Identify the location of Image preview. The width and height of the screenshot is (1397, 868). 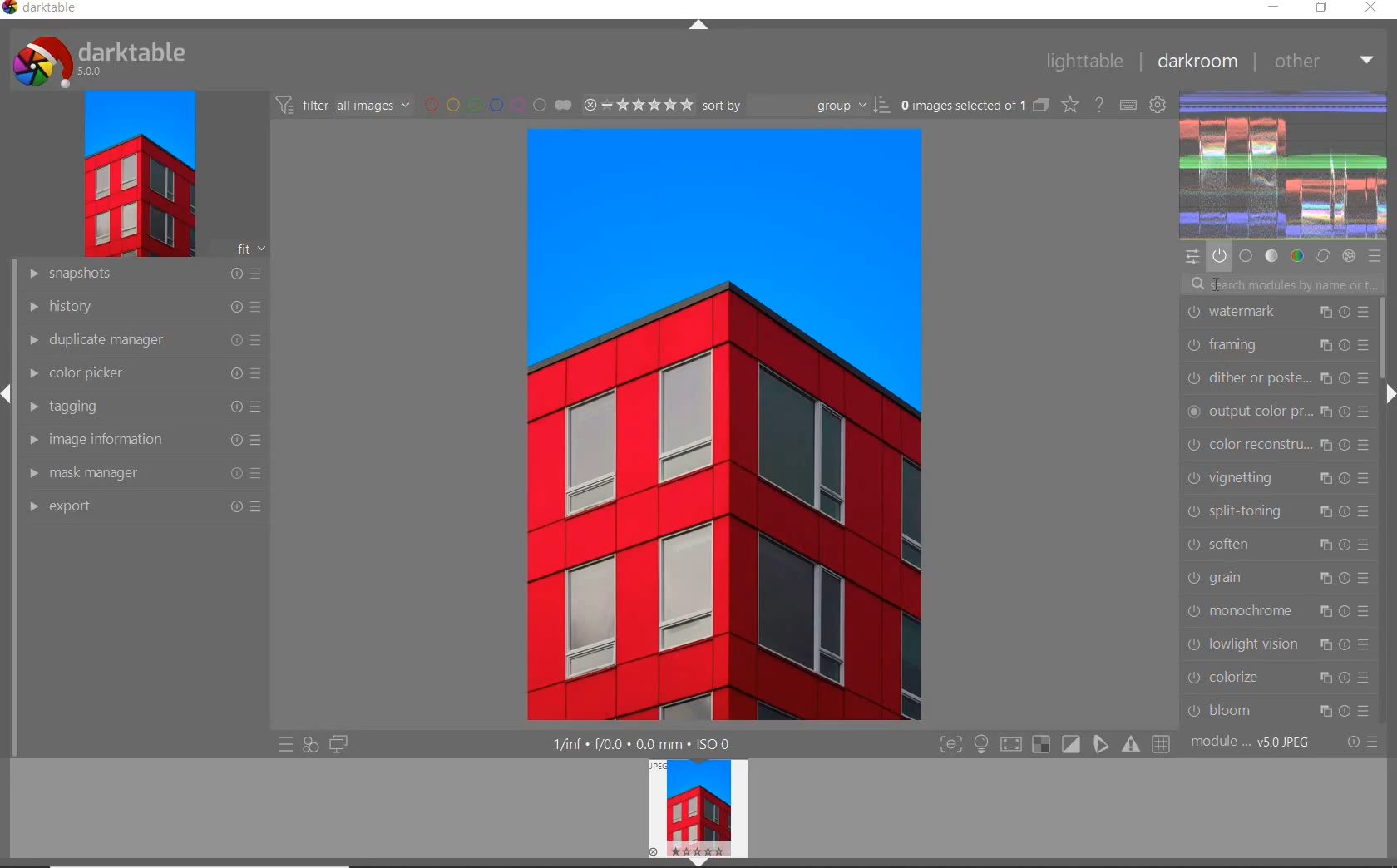
(690, 806).